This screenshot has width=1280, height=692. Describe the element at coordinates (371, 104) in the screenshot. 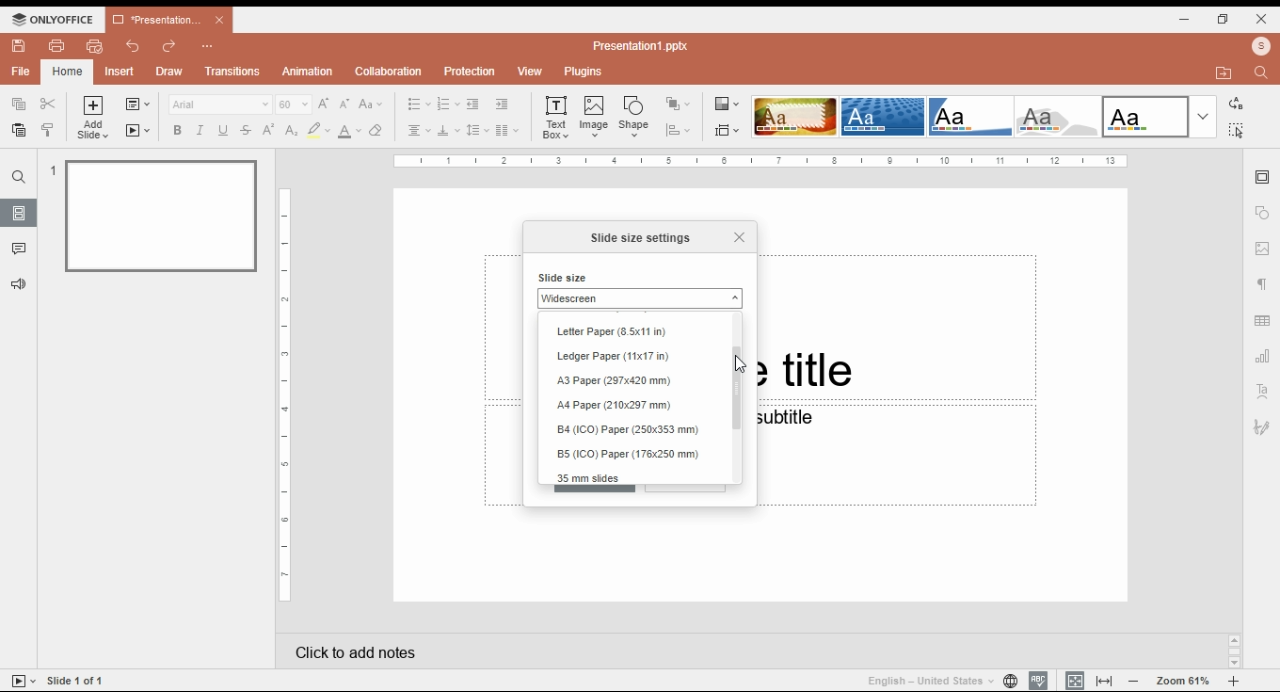

I see `change case` at that location.